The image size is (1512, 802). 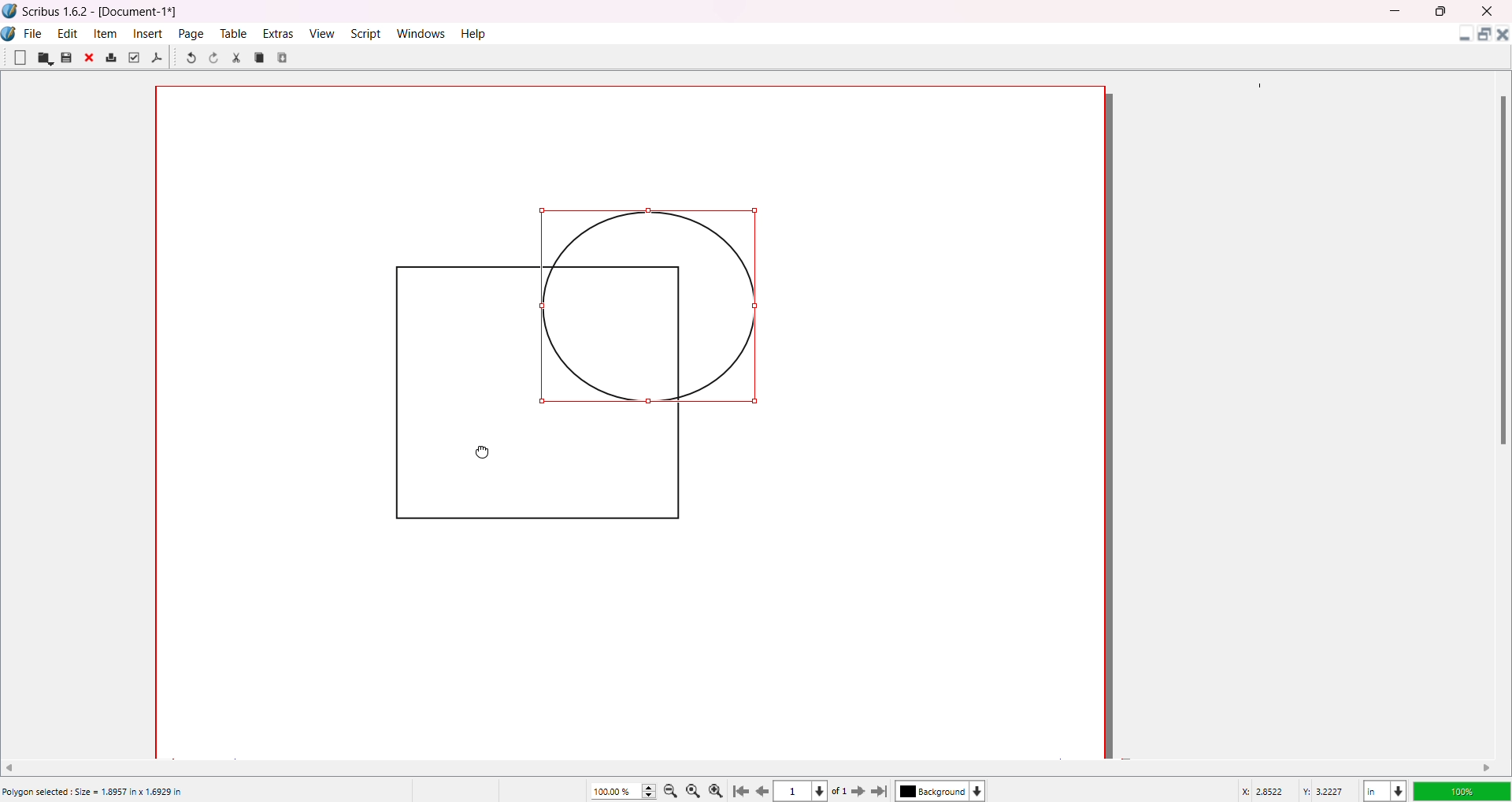 I want to click on Maximize Document, so click(x=1483, y=37).